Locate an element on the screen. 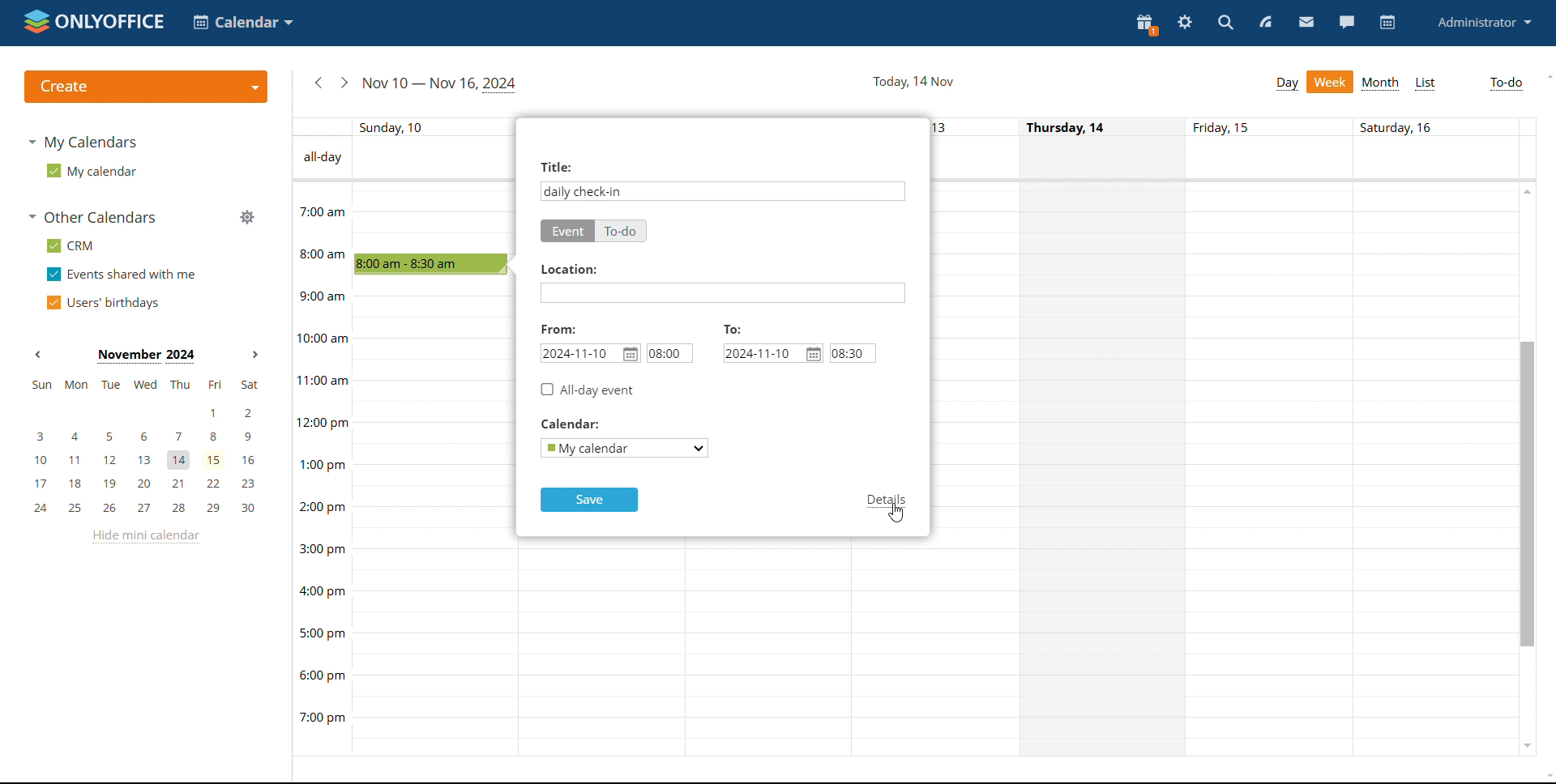 Image resolution: width=1556 pixels, height=784 pixels. event name added is located at coordinates (583, 191).